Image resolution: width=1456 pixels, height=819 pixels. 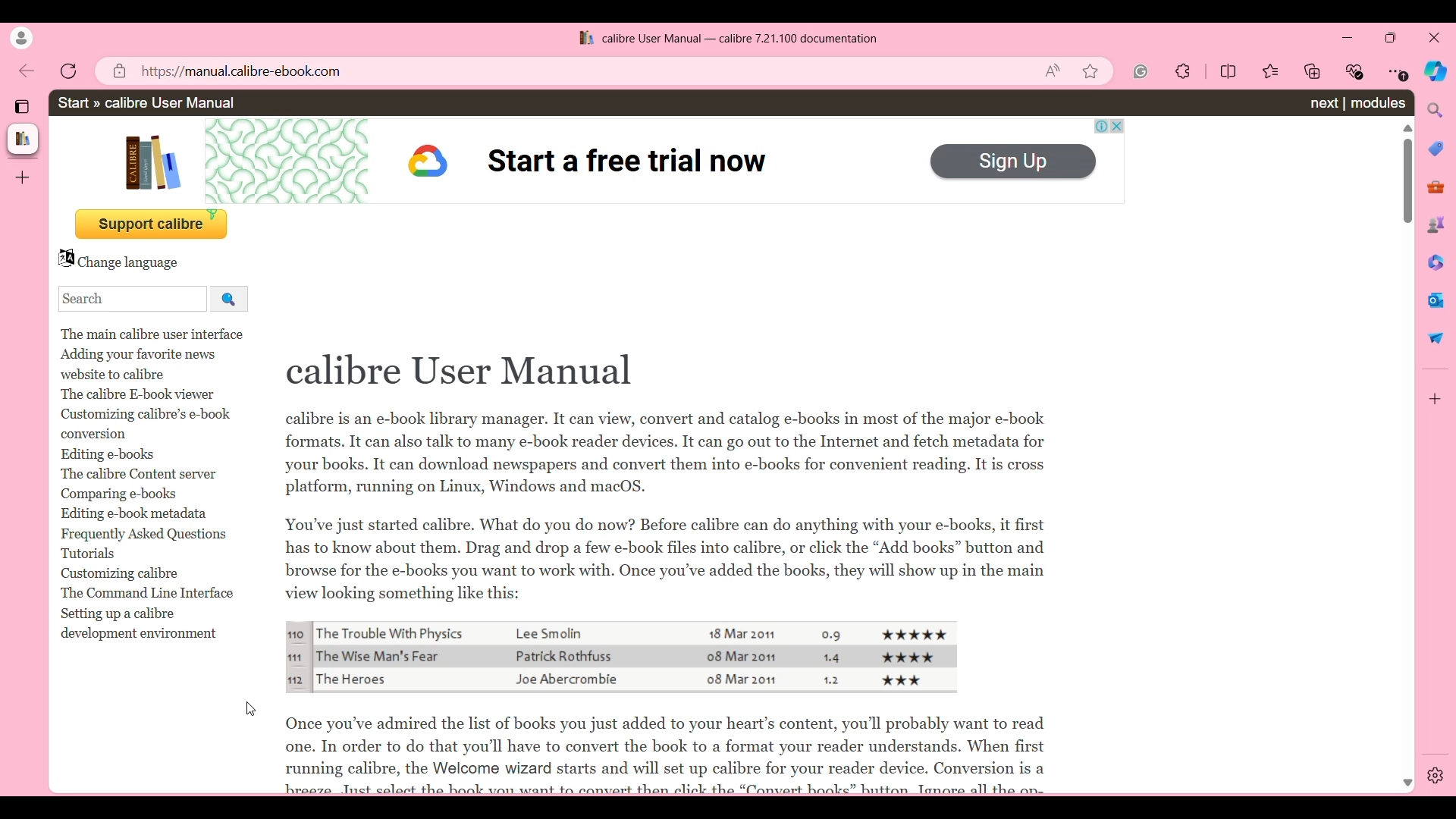 I want to click on Site logo, page name, software name, and software version, so click(x=727, y=38).